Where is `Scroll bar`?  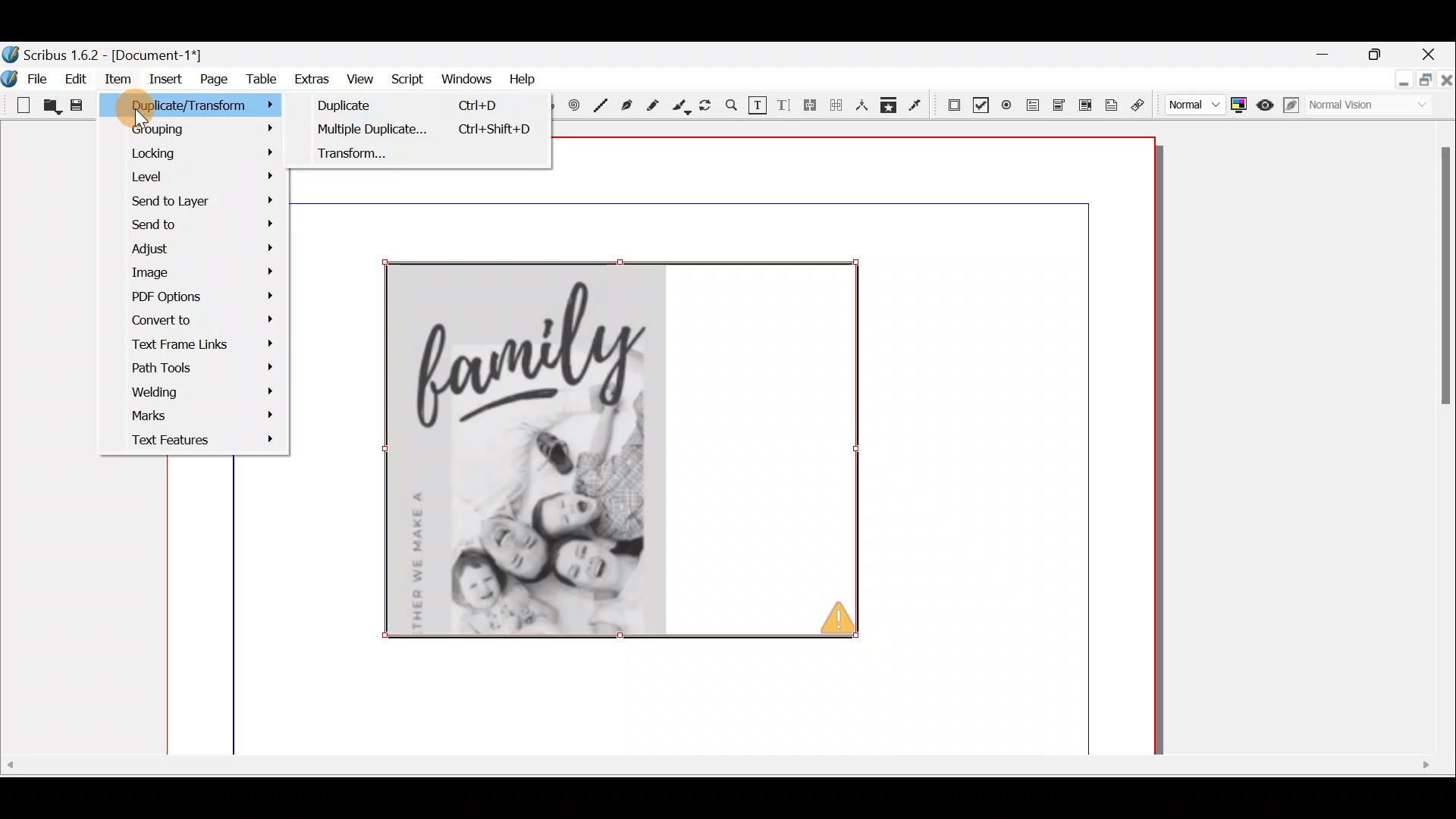
Scroll bar is located at coordinates (718, 781).